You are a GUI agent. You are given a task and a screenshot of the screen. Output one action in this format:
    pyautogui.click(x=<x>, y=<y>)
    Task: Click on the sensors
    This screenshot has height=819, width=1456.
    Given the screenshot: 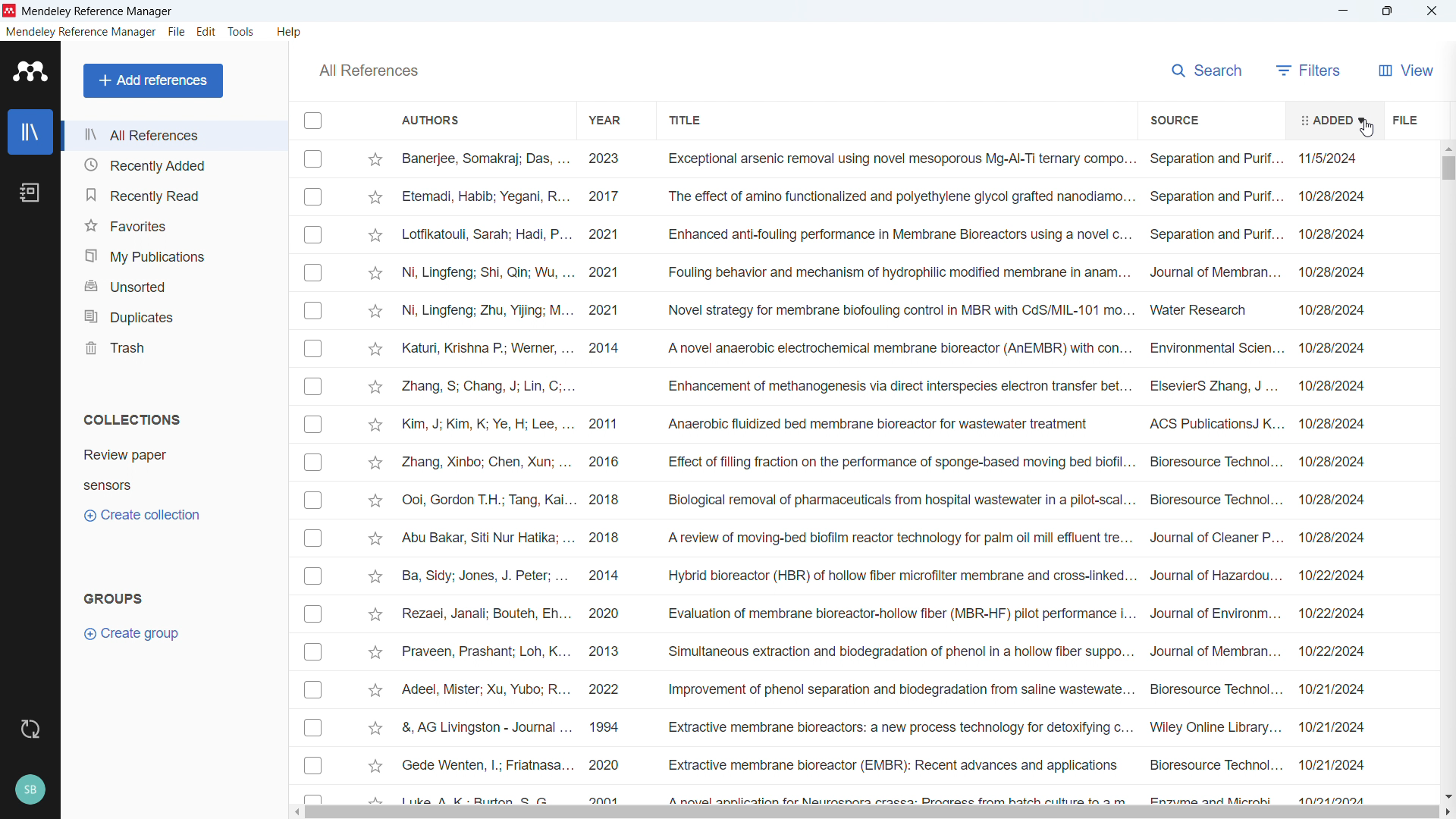 What is the action you would take?
    pyautogui.click(x=108, y=485)
    